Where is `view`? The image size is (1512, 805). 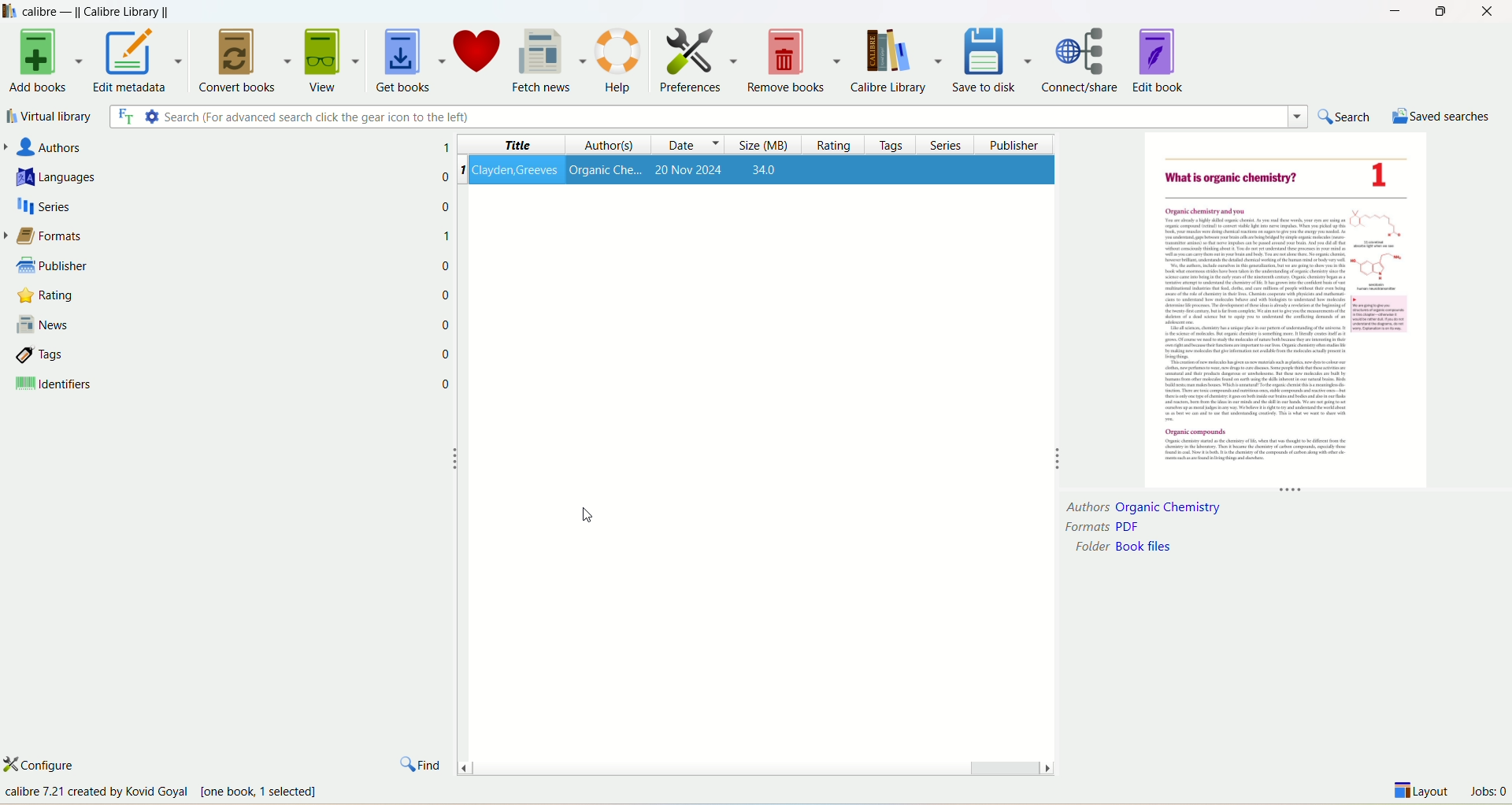 view is located at coordinates (332, 58).